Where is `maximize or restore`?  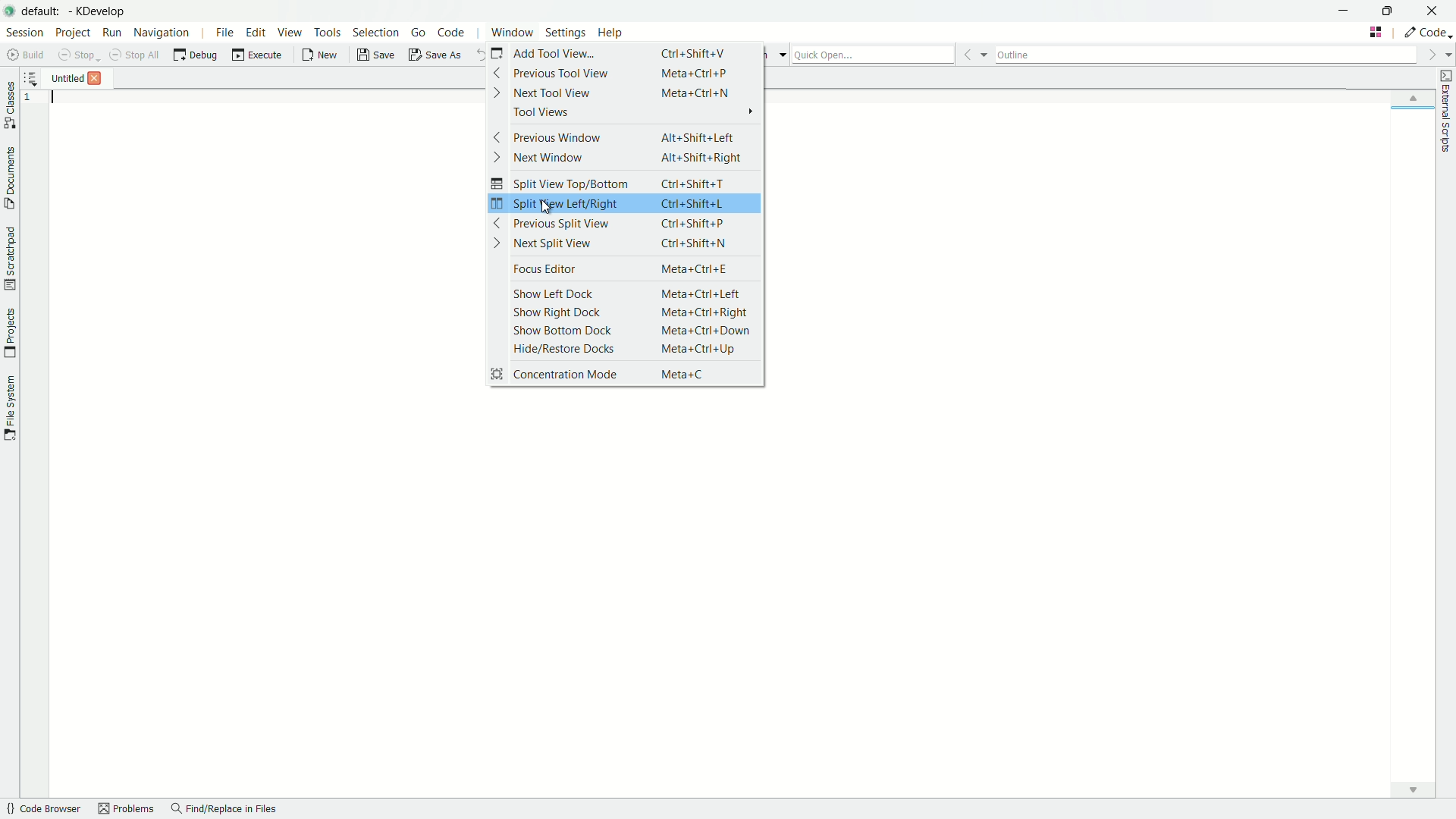 maximize or restore is located at coordinates (1390, 11).